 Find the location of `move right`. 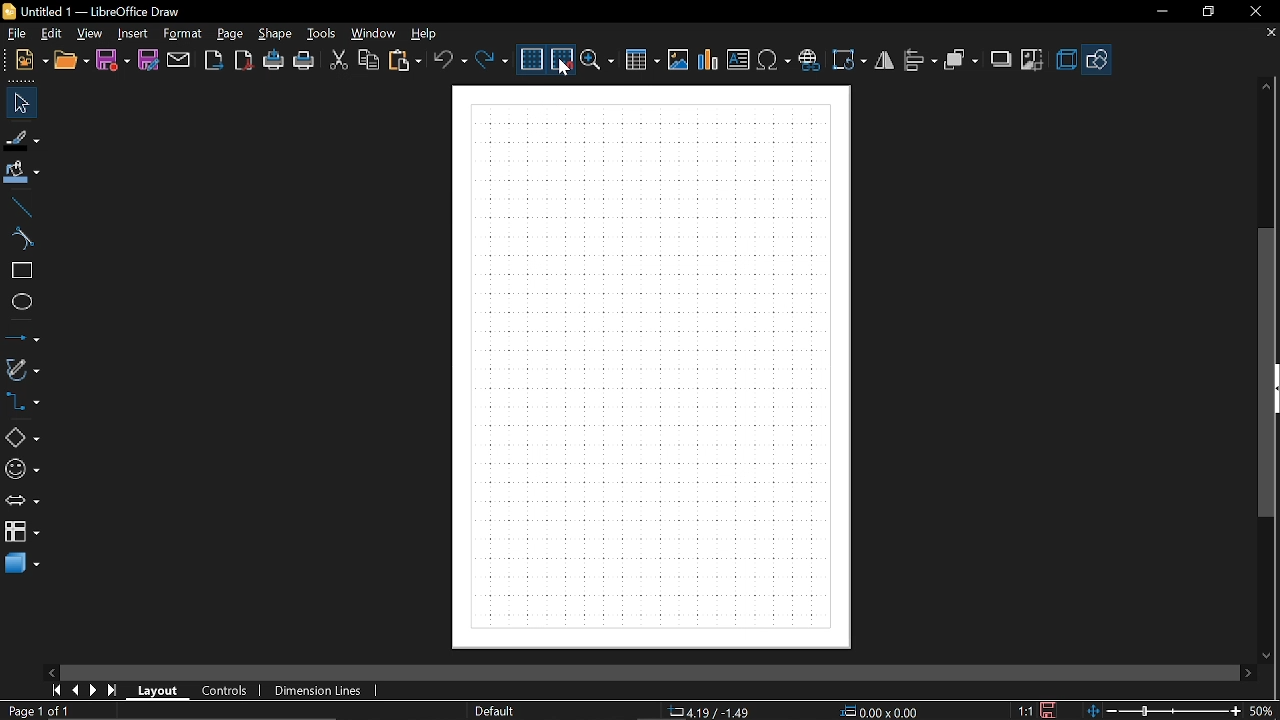

move right is located at coordinates (1248, 672).